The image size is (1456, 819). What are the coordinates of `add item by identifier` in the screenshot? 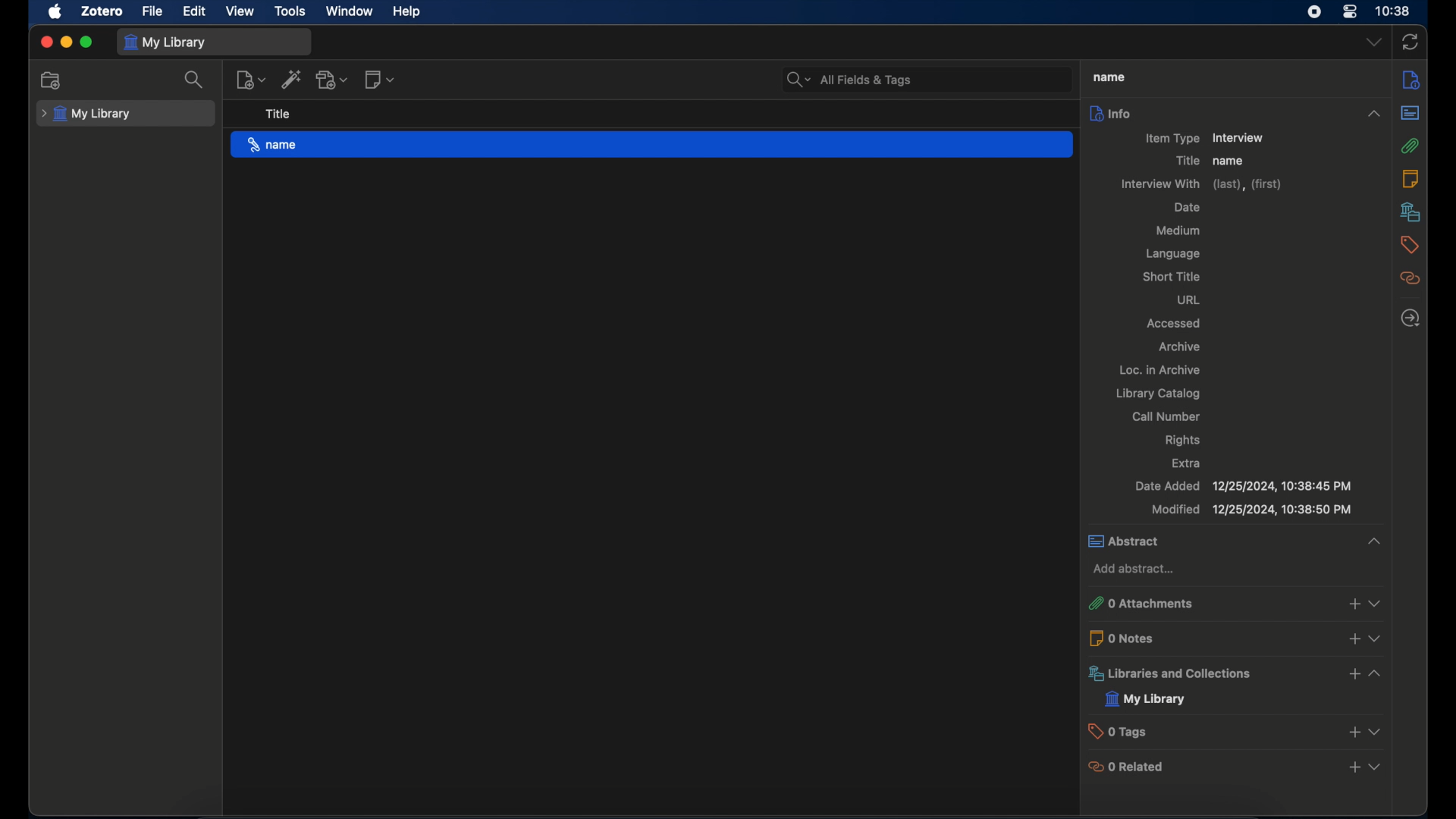 It's located at (291, 79).